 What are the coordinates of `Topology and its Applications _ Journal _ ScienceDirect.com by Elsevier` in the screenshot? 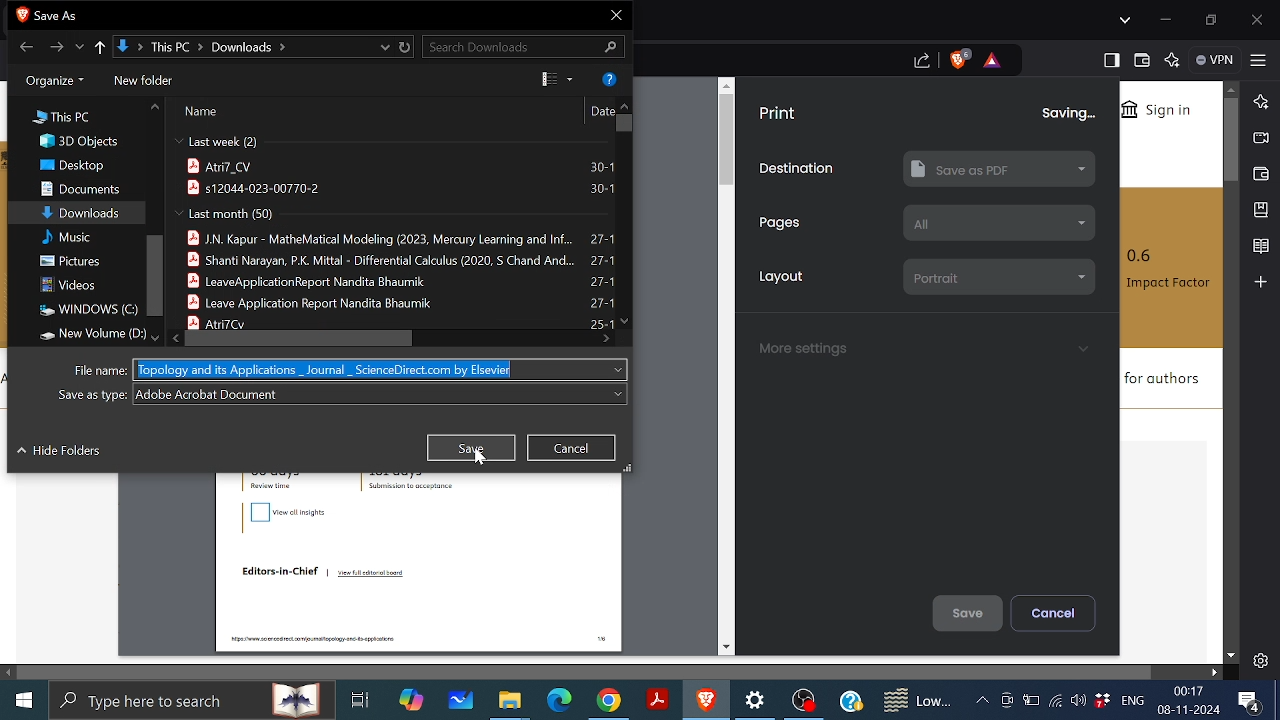 It's located at (380, 364).